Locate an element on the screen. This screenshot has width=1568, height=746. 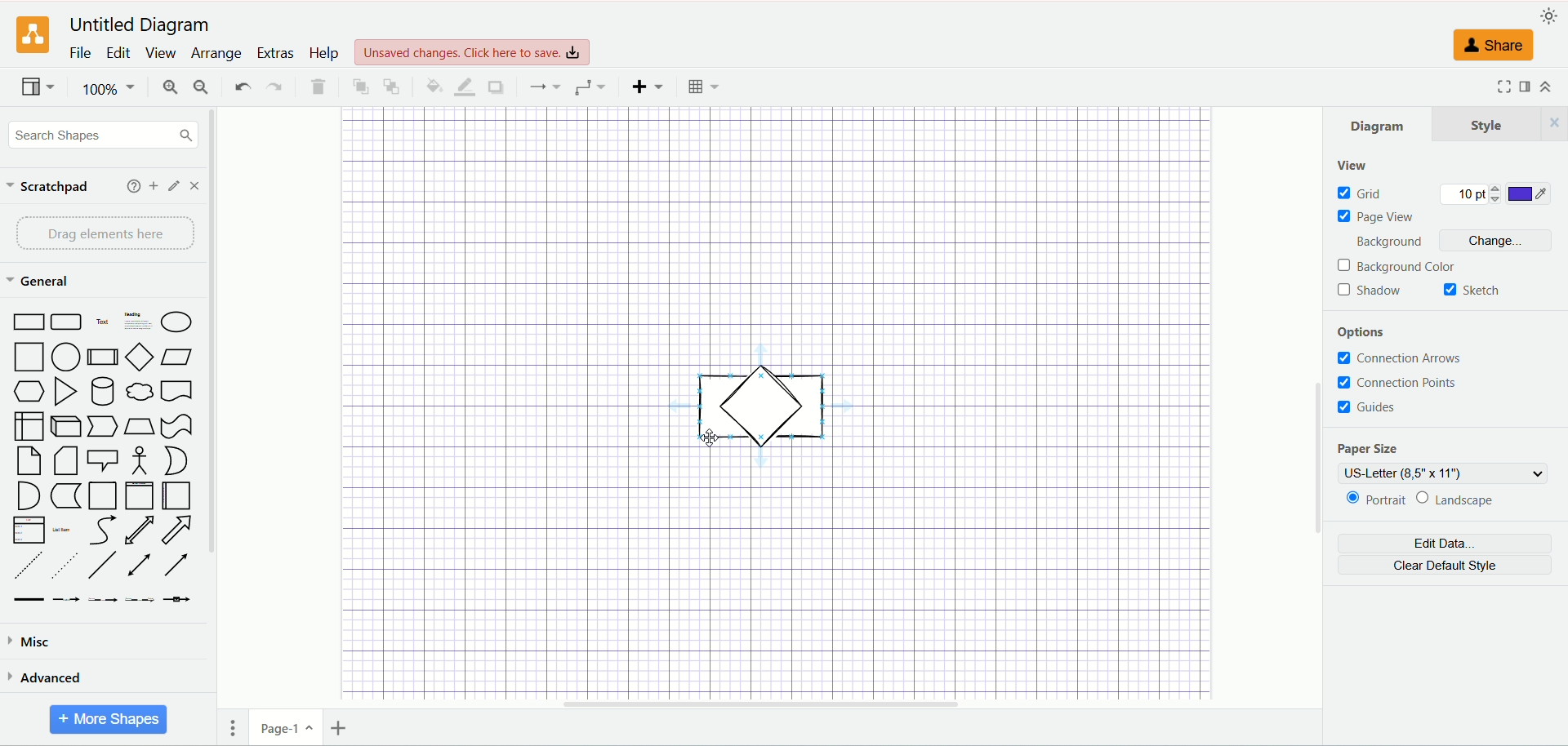
arrange is located at coordinates (216, 54).